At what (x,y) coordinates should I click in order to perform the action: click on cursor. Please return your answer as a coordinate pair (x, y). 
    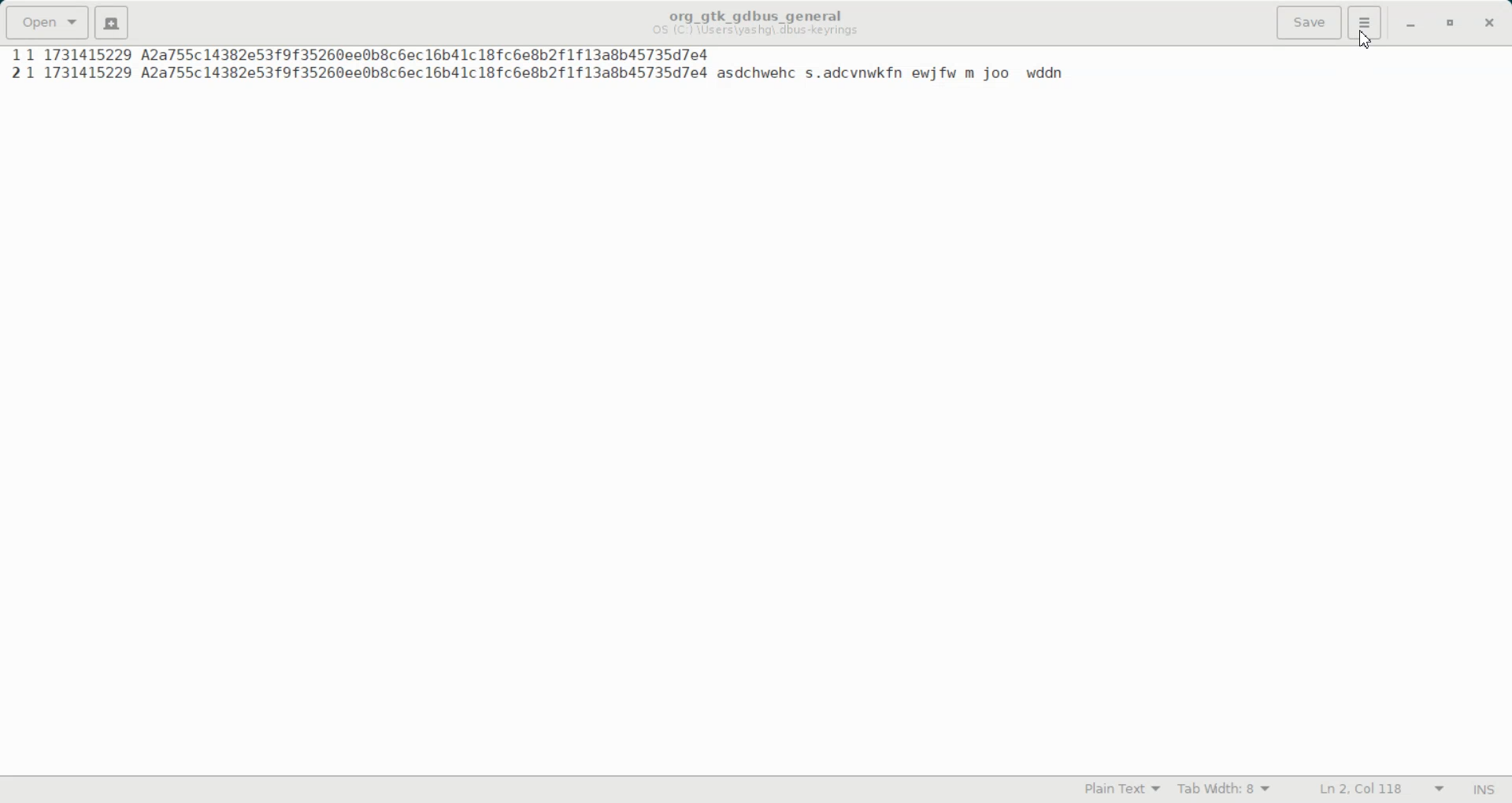
    Looking at the image, I should click on (1366, 42).